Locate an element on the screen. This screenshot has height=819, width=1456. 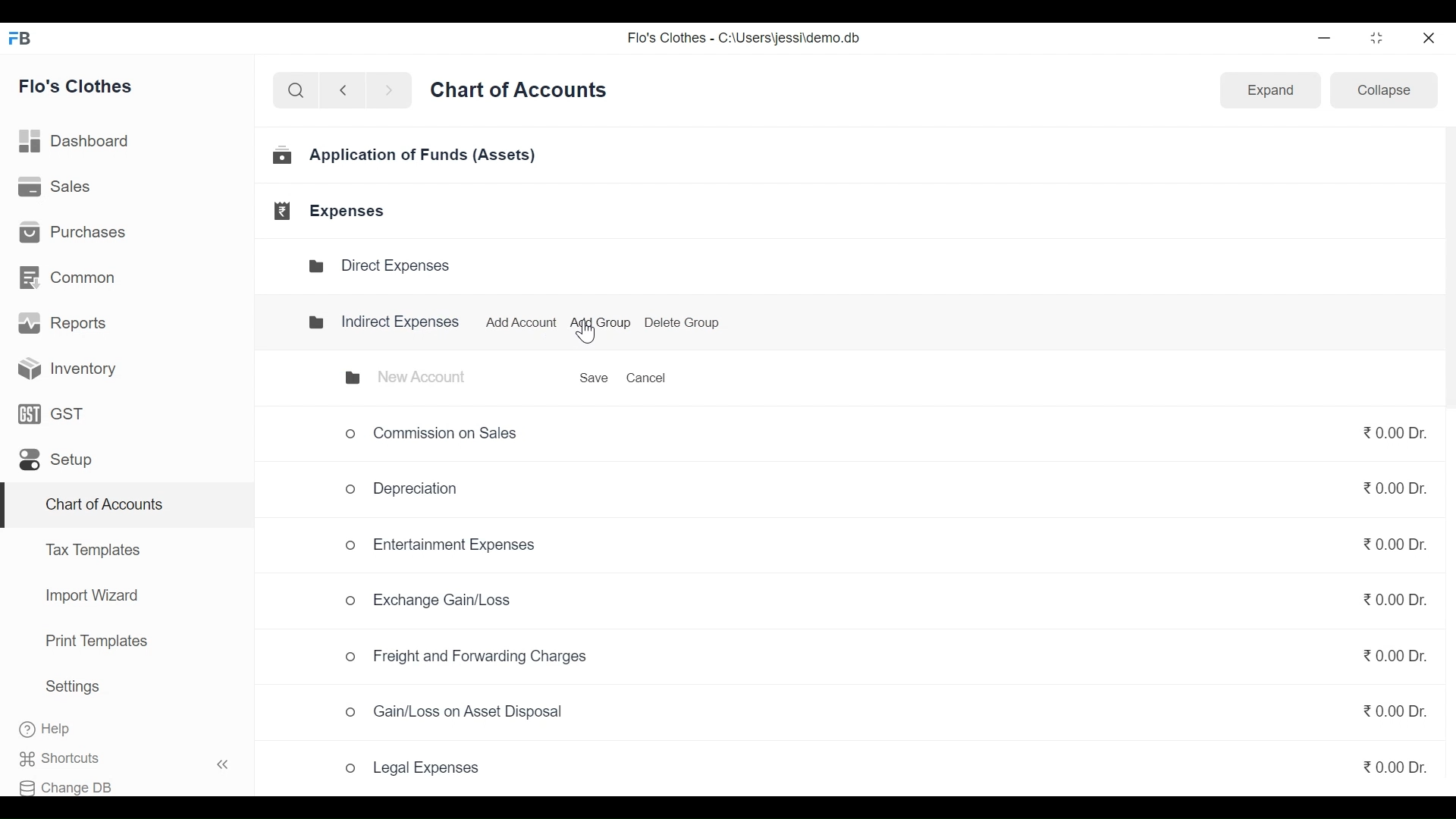
Help is located at coordinates (61, 730).